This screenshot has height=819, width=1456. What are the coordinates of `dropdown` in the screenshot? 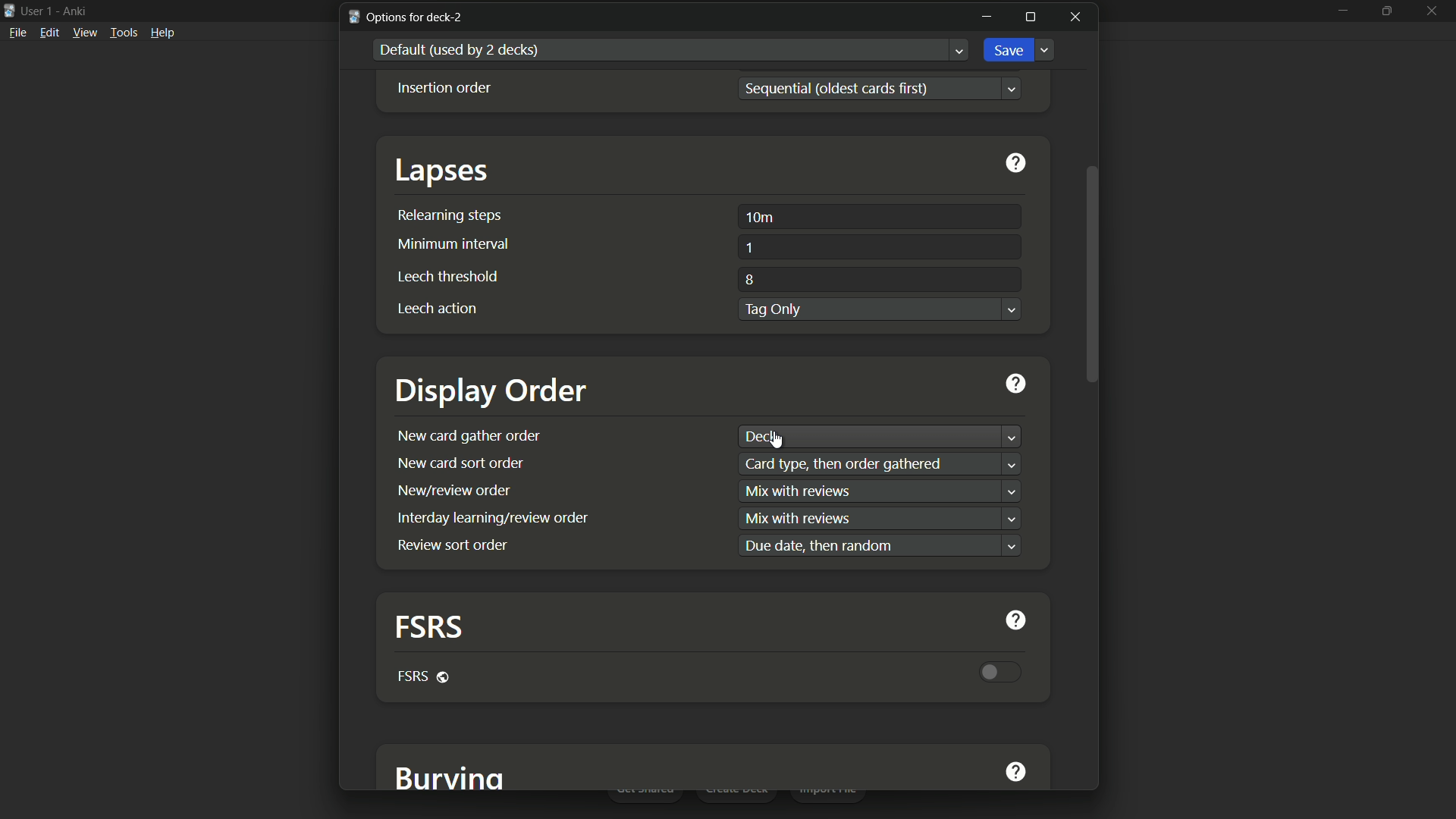 It's located at (1011, 438).